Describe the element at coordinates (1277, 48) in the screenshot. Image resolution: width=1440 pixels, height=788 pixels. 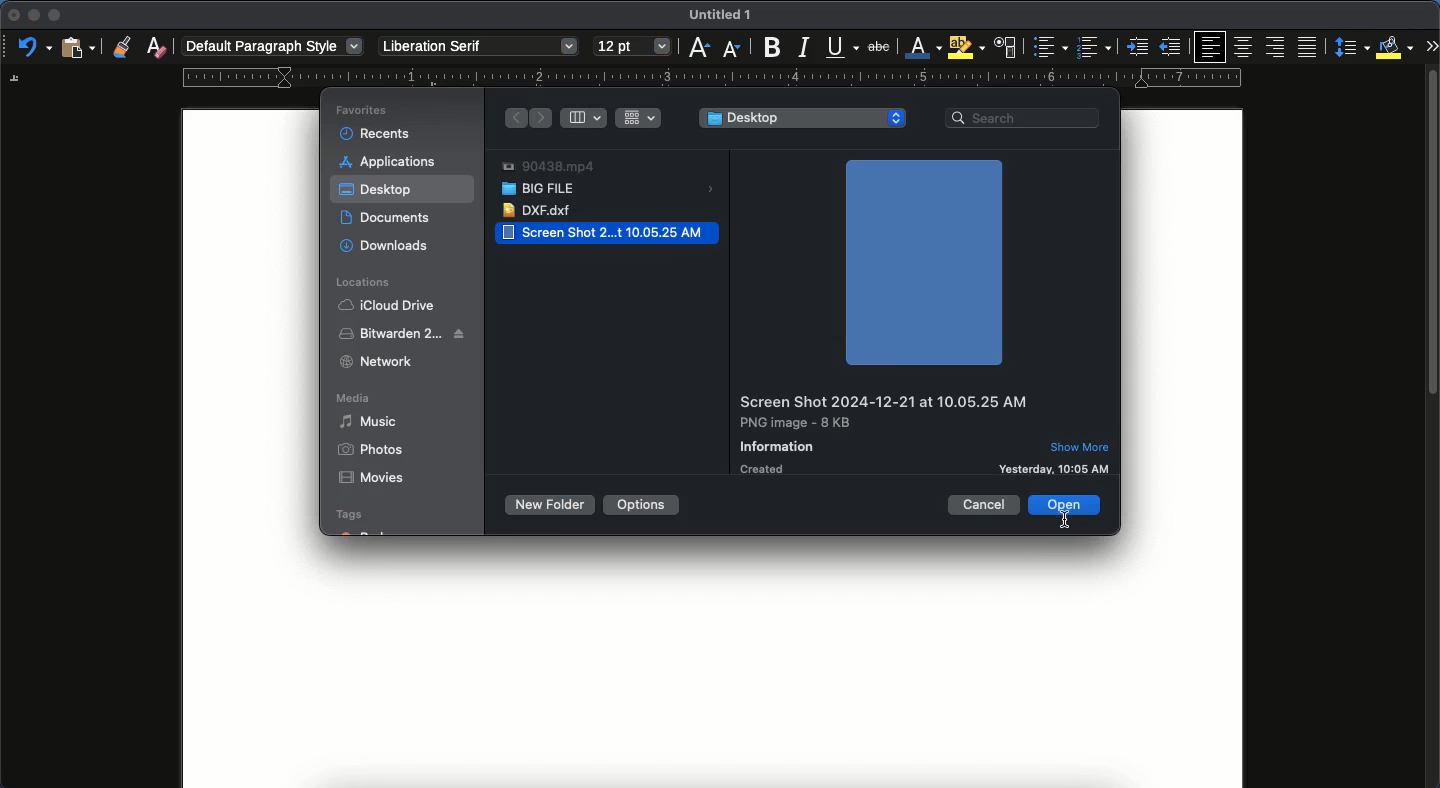
I see `right align` at that location.